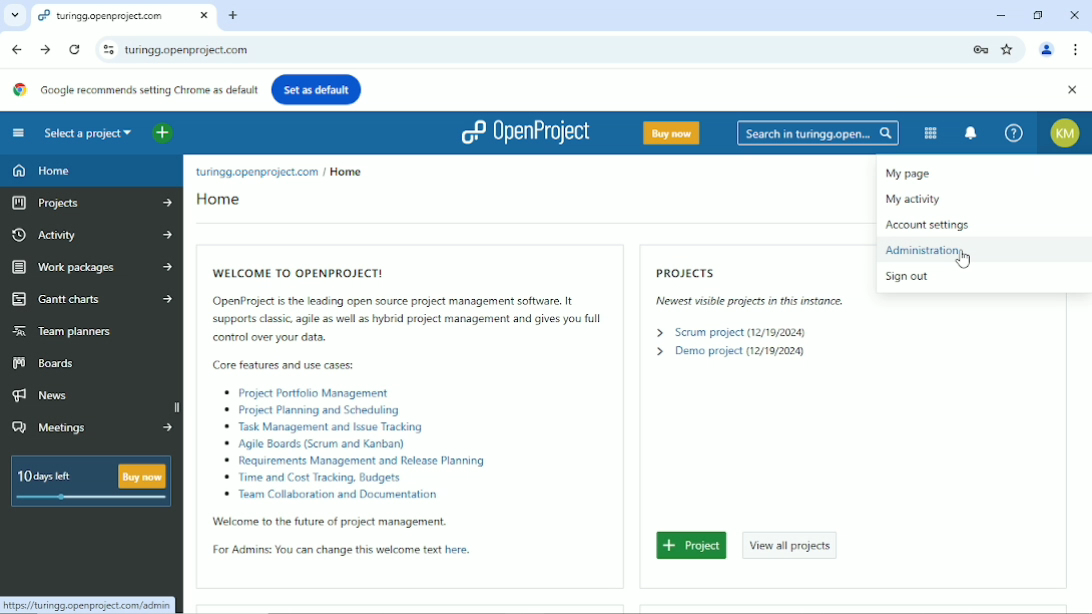 This screenshot has height=614, width=1092. I want to click on close current window, so click(204, 16).